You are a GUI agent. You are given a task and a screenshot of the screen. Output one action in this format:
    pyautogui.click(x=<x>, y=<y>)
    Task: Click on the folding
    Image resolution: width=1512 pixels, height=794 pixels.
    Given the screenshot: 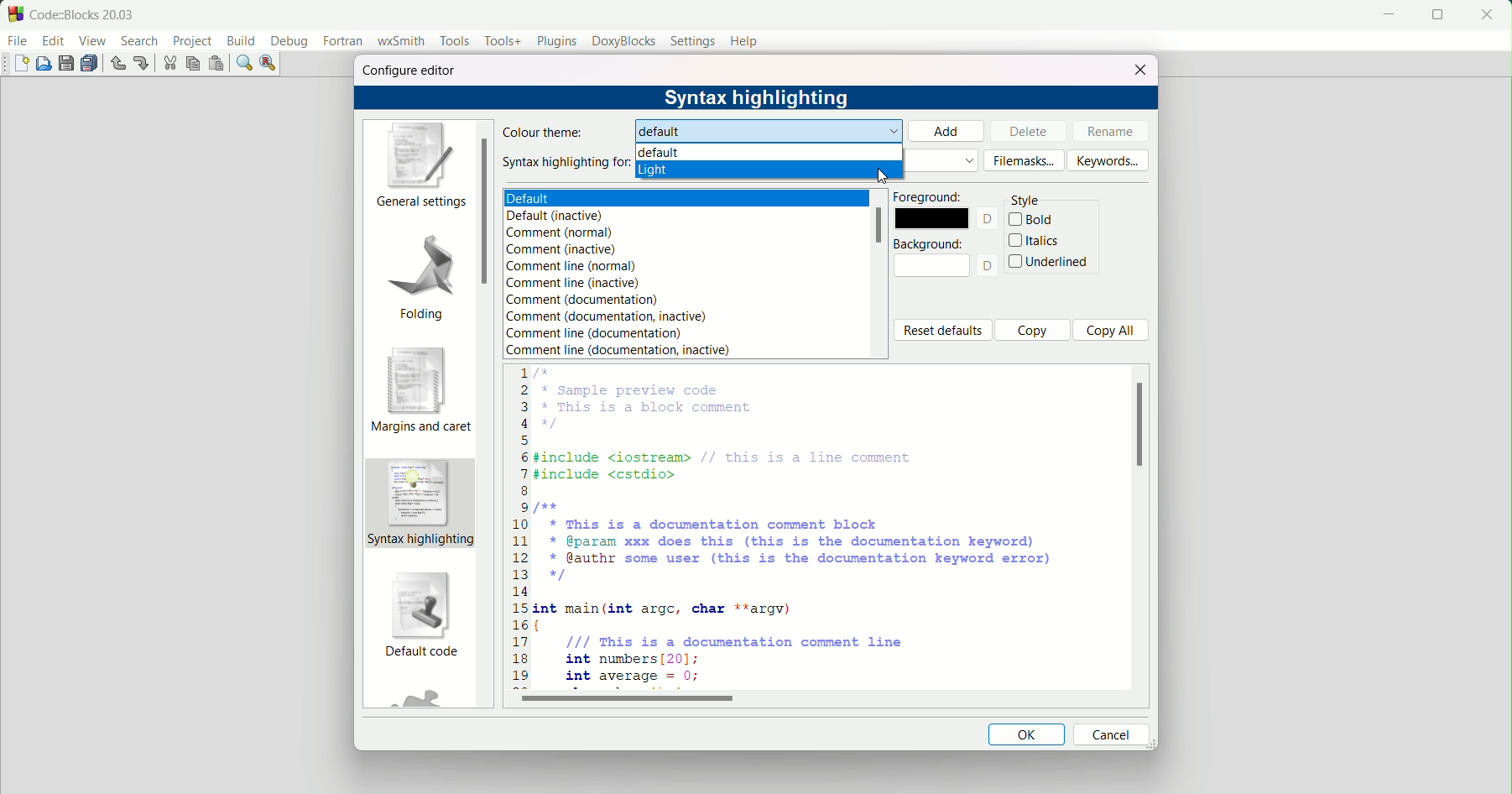 What is the action you would take?
    pyautogui.click(x=422, y=275)
    